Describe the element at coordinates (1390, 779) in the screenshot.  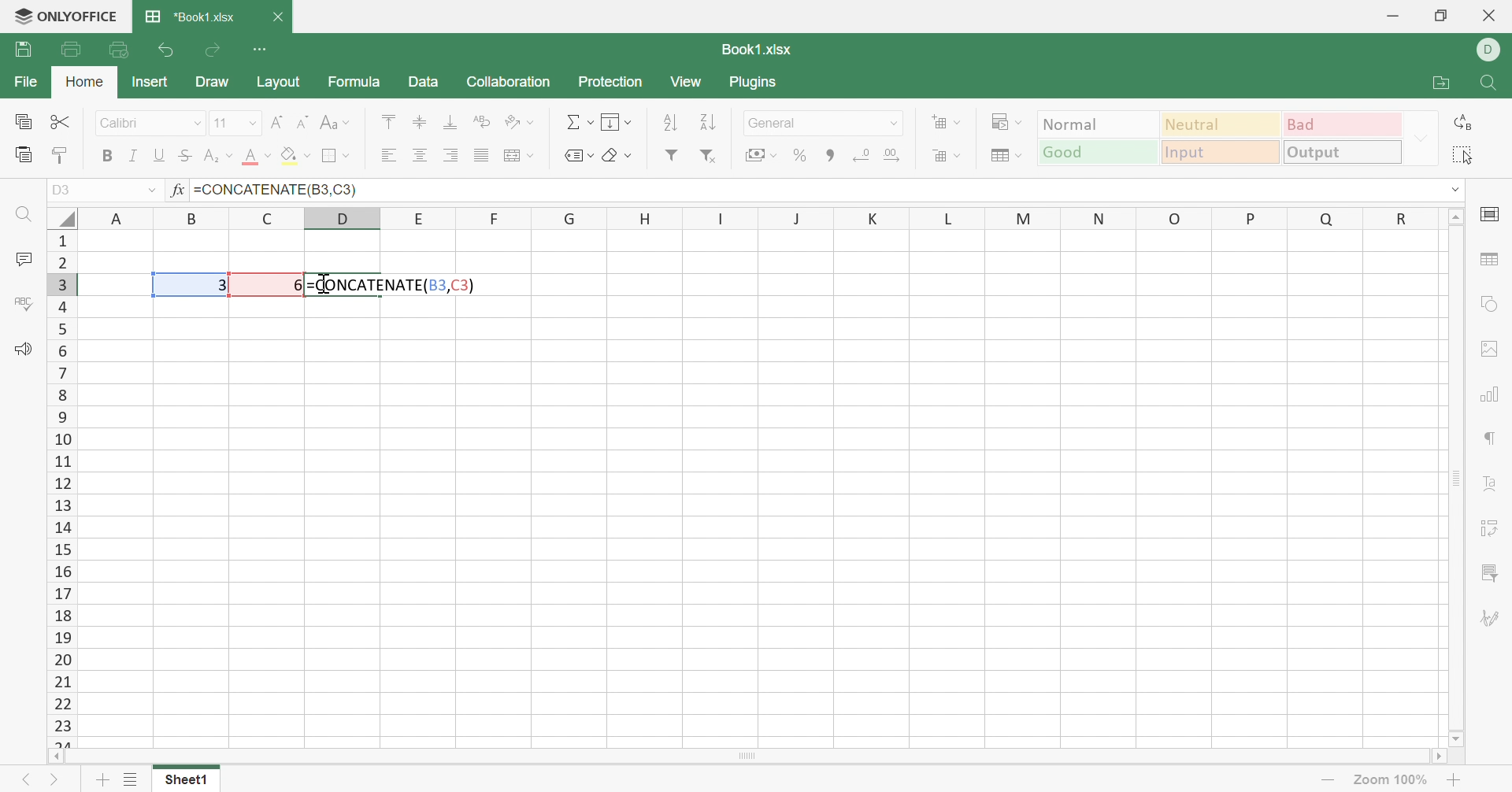
I see `Zoom out 57%` at that location.